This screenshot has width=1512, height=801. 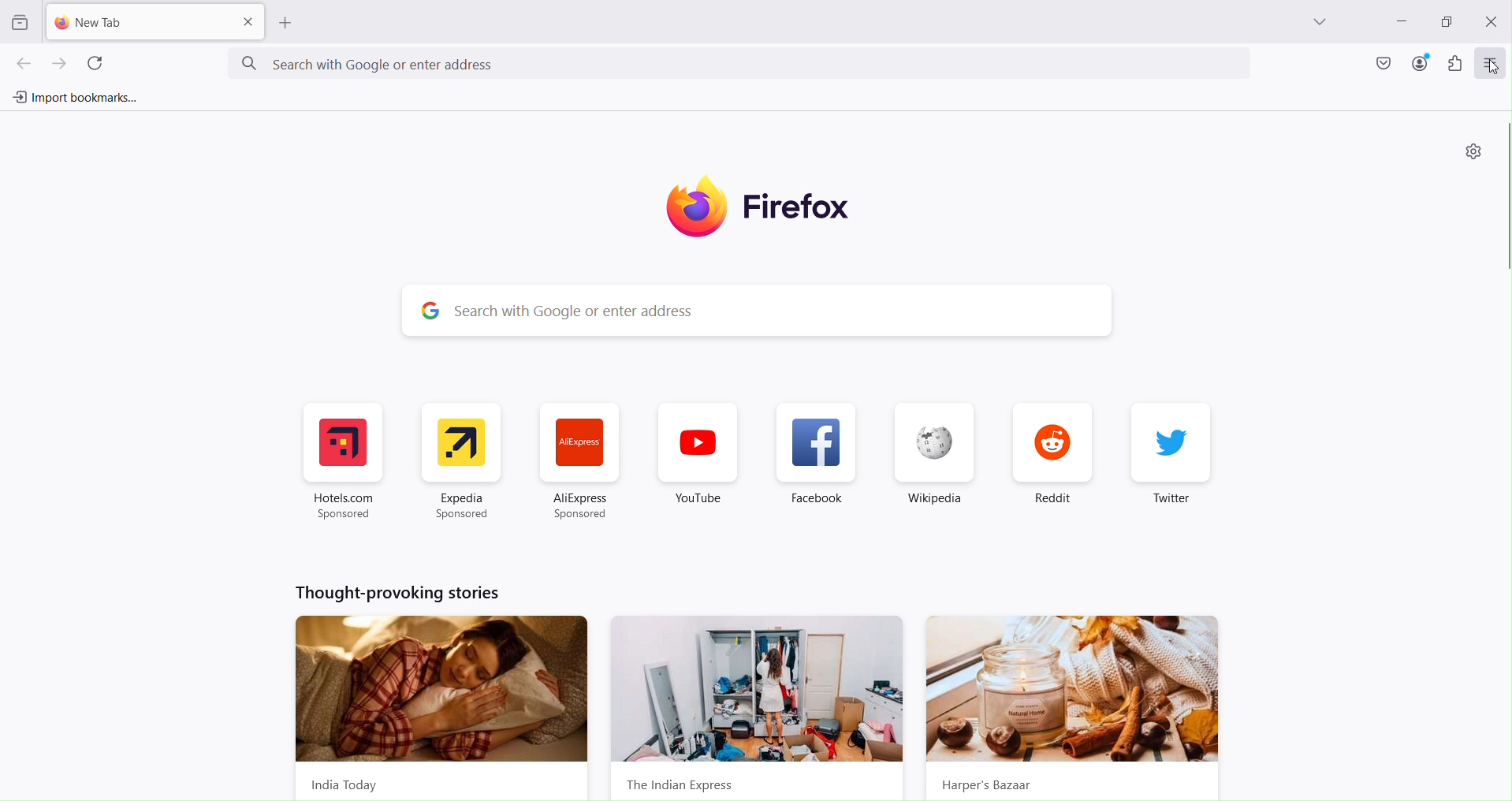 I want to click on Cursor, so click(x=1494, y=67).